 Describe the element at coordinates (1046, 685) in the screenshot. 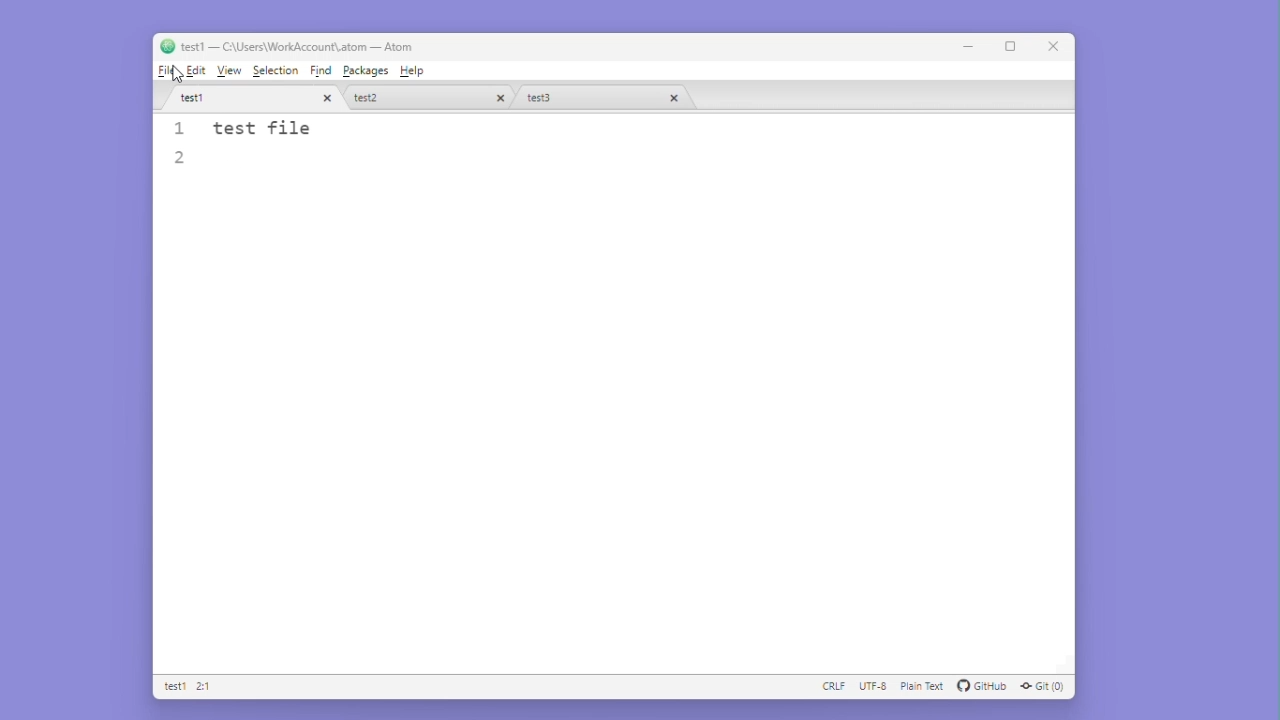

I see `GIT (0)` at that location.